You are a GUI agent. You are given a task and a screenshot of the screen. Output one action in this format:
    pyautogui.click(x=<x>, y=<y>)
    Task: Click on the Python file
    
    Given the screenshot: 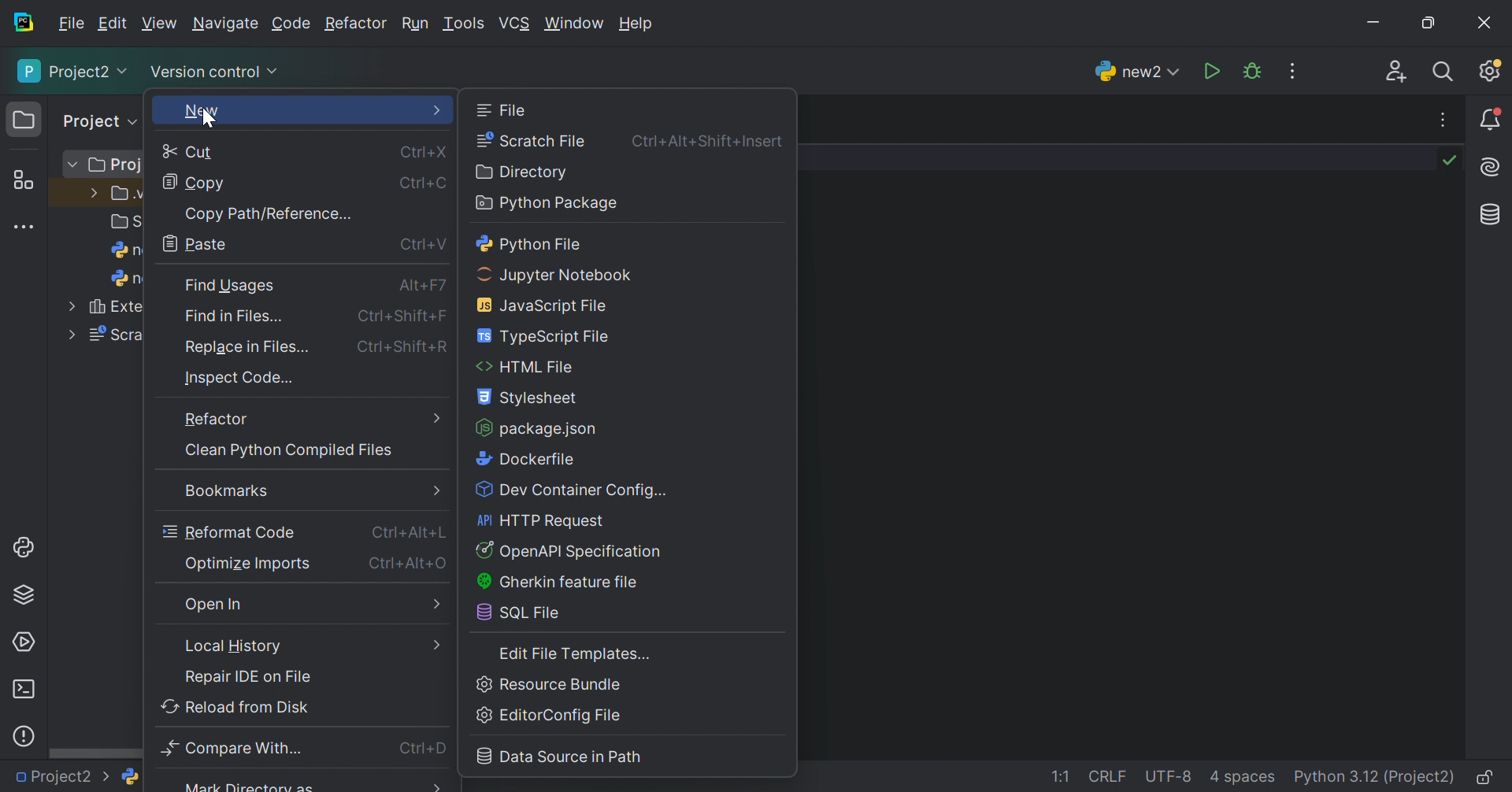 What is the action you would take?
    pyautogui.click(x=533, y=245)
    